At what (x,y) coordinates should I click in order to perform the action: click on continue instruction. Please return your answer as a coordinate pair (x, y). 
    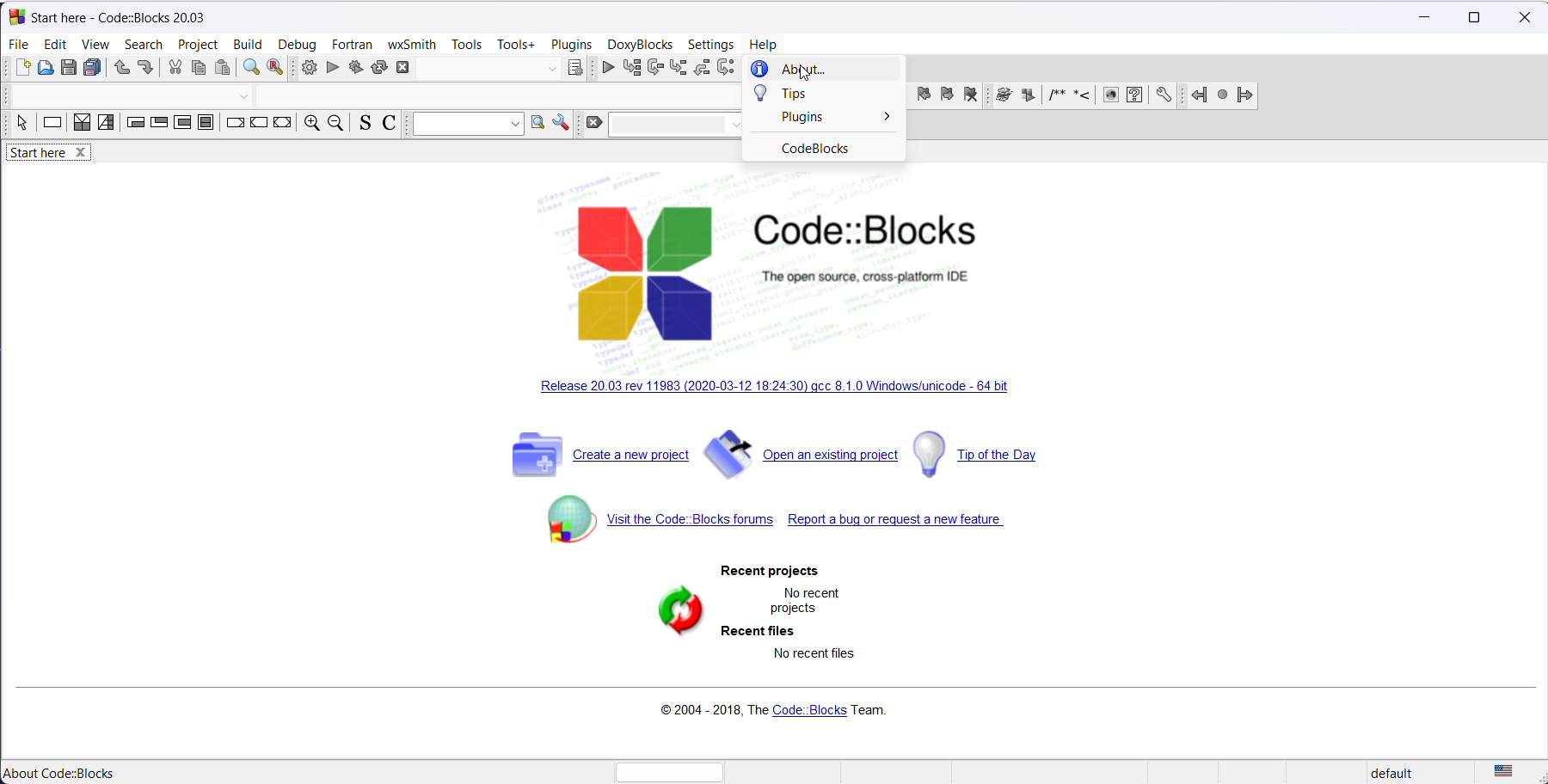
    Looking at the image, I should click on (259, 125).